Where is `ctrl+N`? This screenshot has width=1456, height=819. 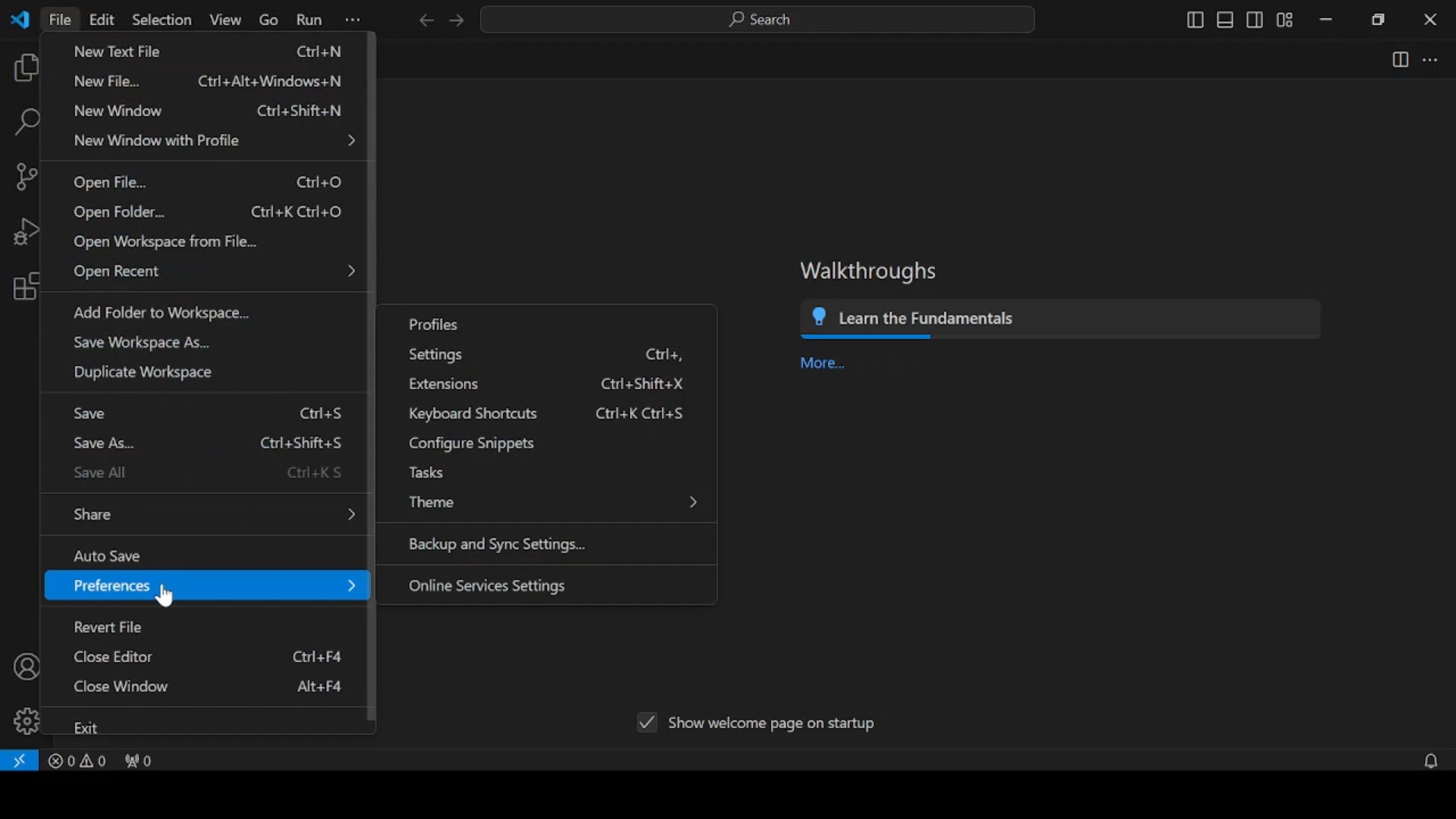
ctrl+N is located at coordinates (320, 52).